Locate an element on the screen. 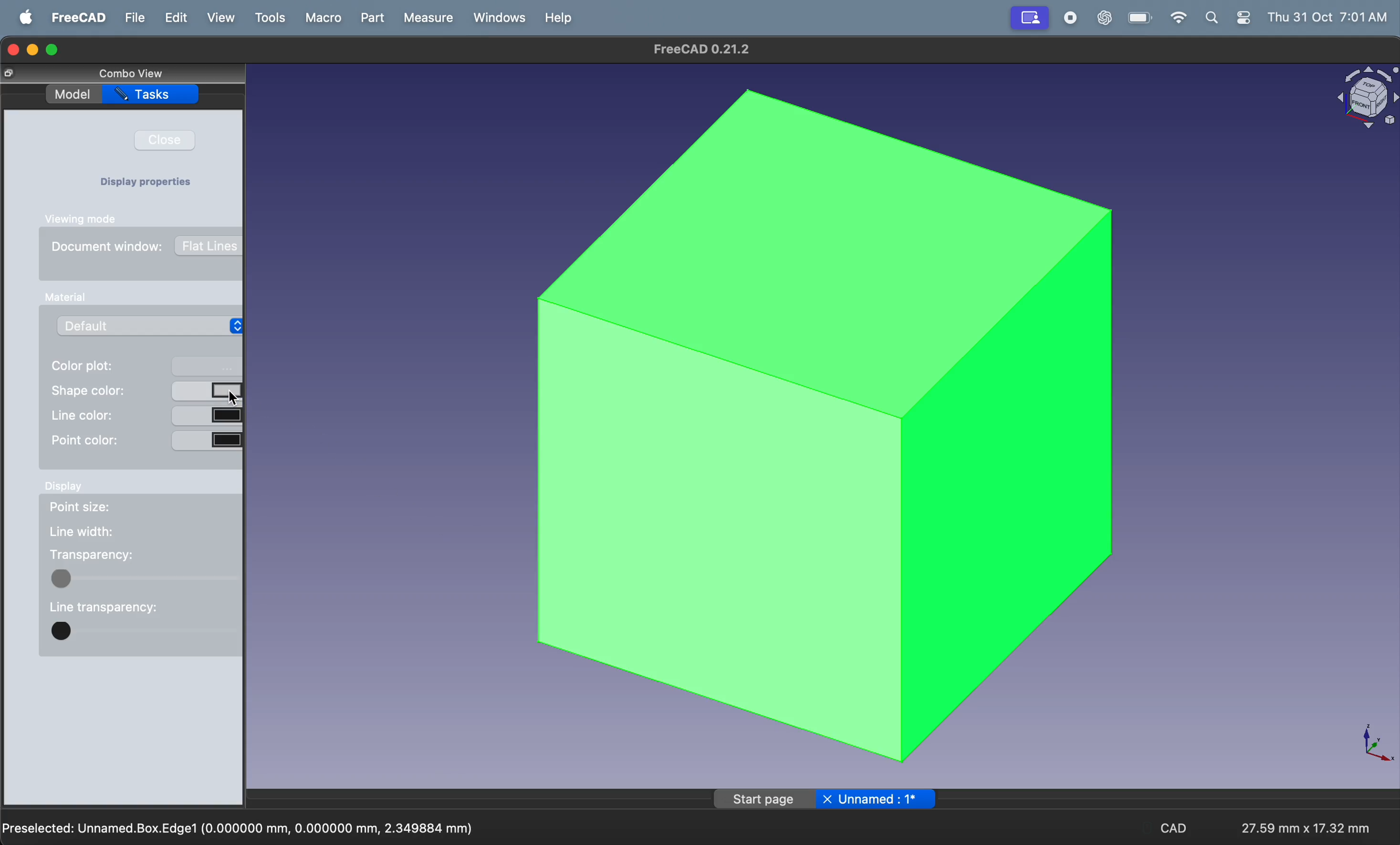  axis is located at coordinates (1370, 742).